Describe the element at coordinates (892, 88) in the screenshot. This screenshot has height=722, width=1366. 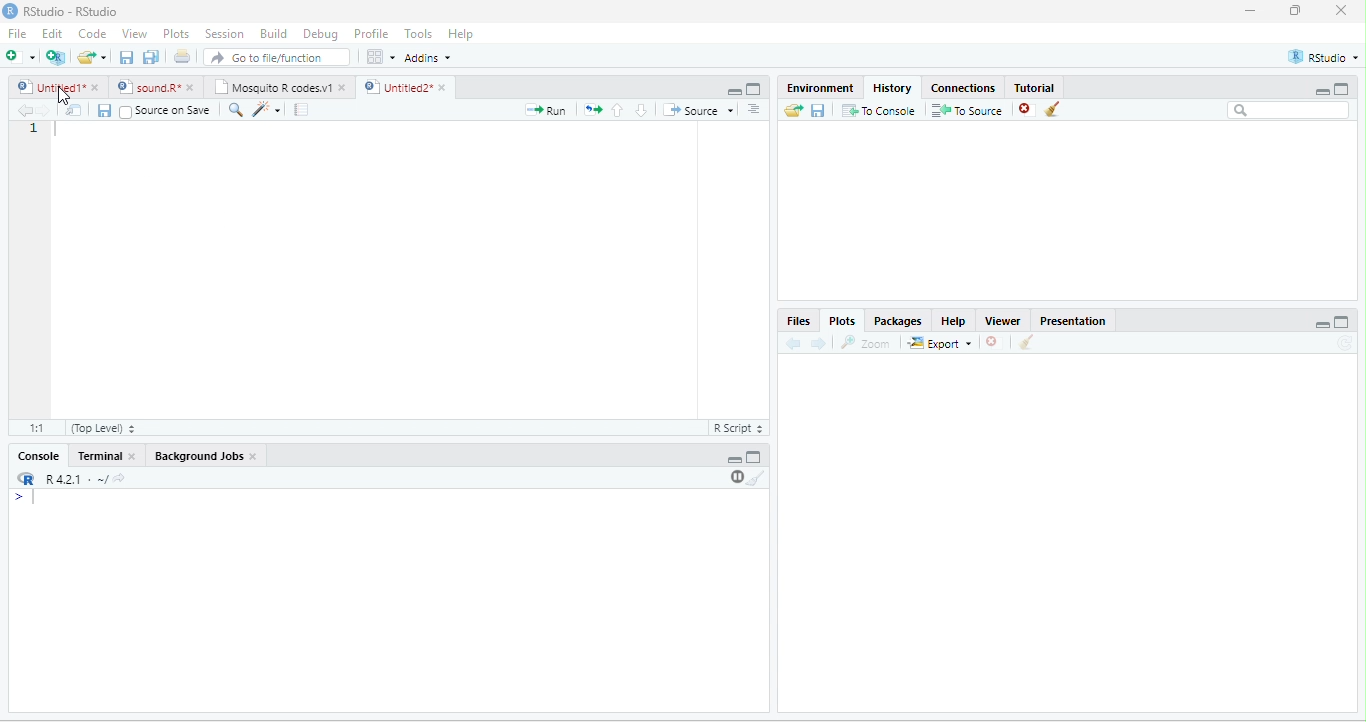
I see `History` at that location.